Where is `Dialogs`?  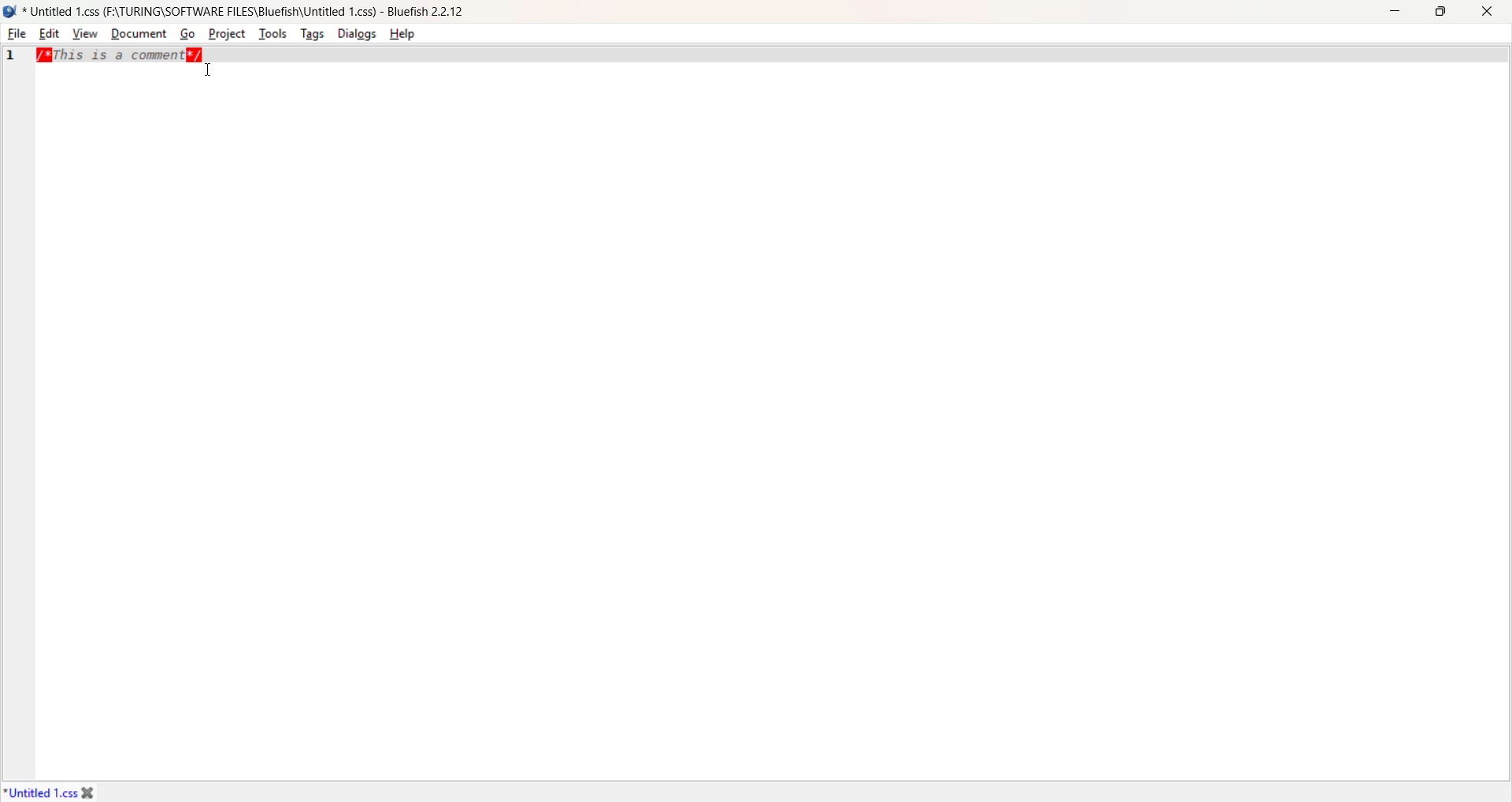
Dialogs is located at coordinates (359, 35).